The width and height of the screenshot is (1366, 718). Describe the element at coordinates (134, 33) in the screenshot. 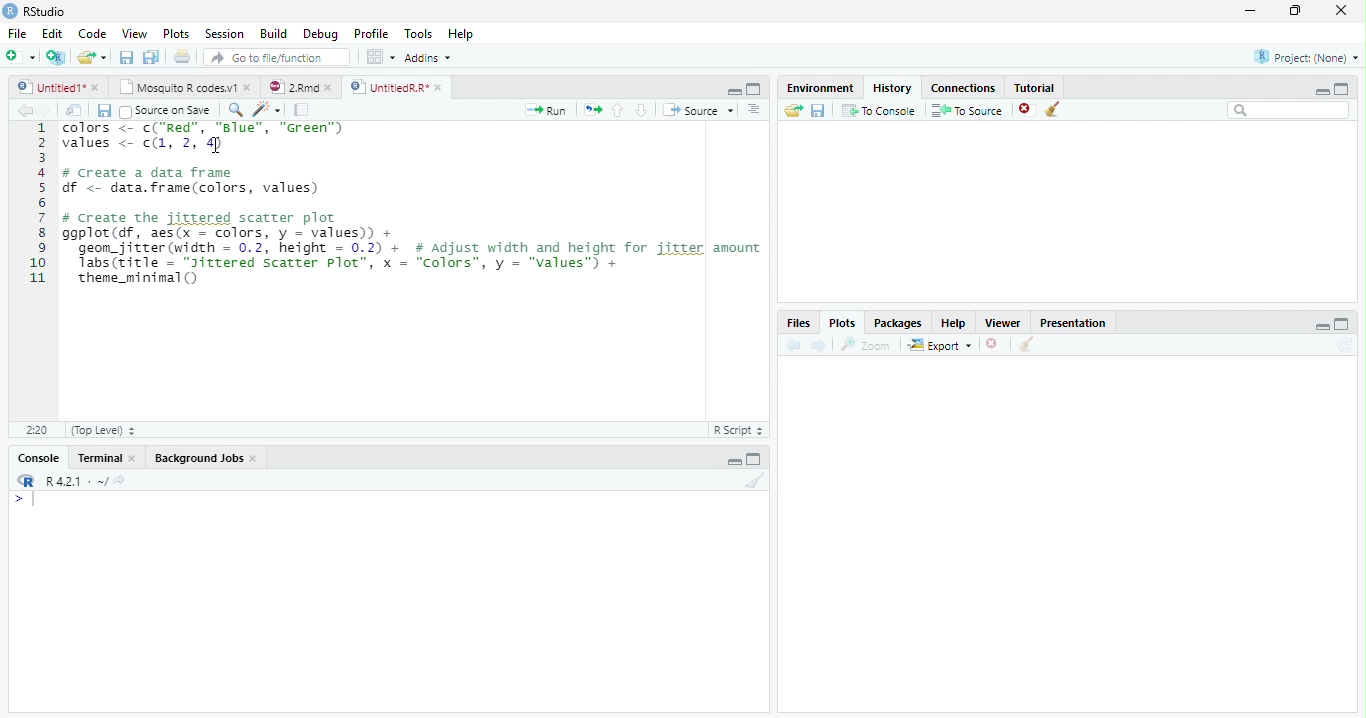

I see `View` at that location.